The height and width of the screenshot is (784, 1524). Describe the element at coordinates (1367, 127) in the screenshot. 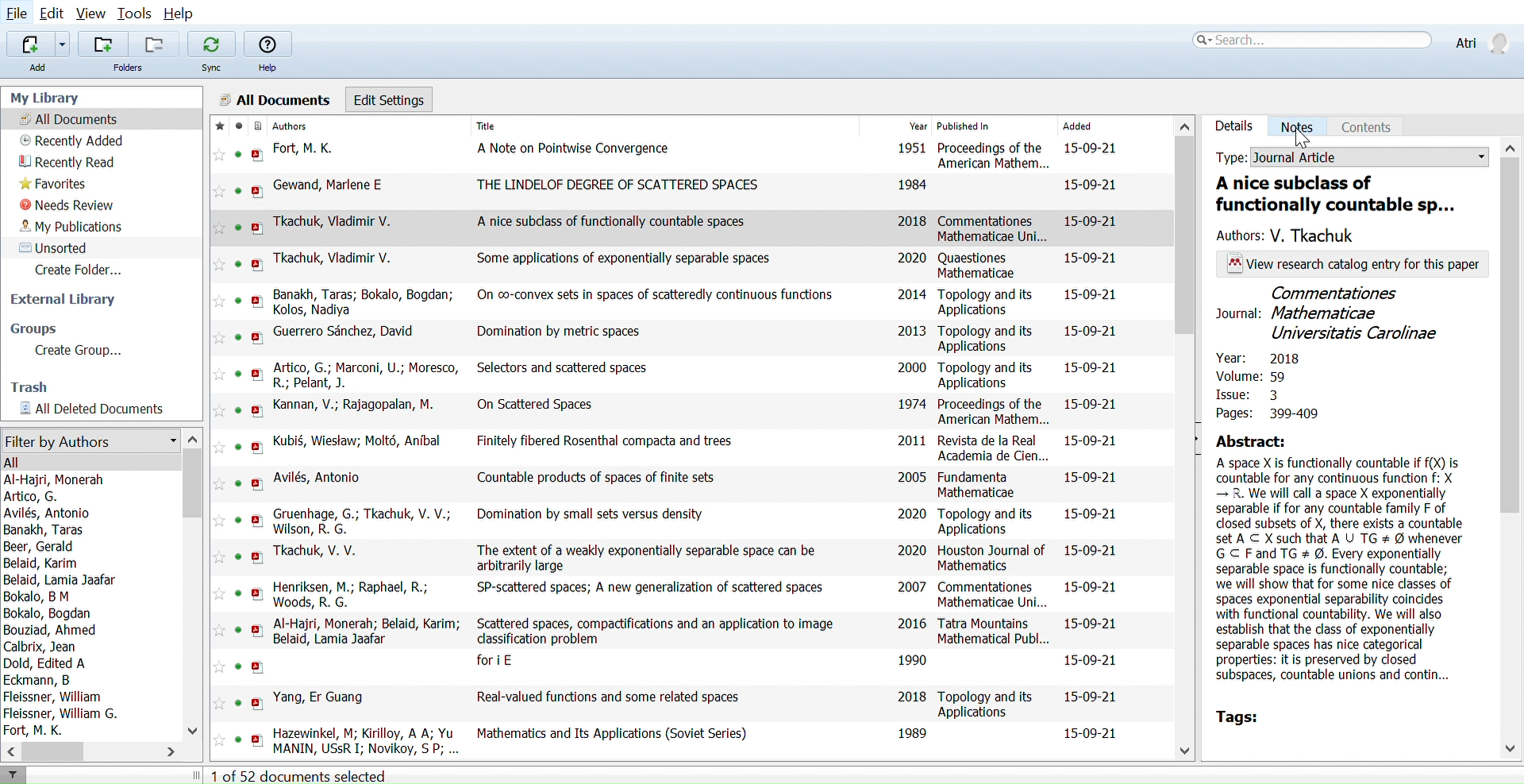

I see `Coments` at that location.